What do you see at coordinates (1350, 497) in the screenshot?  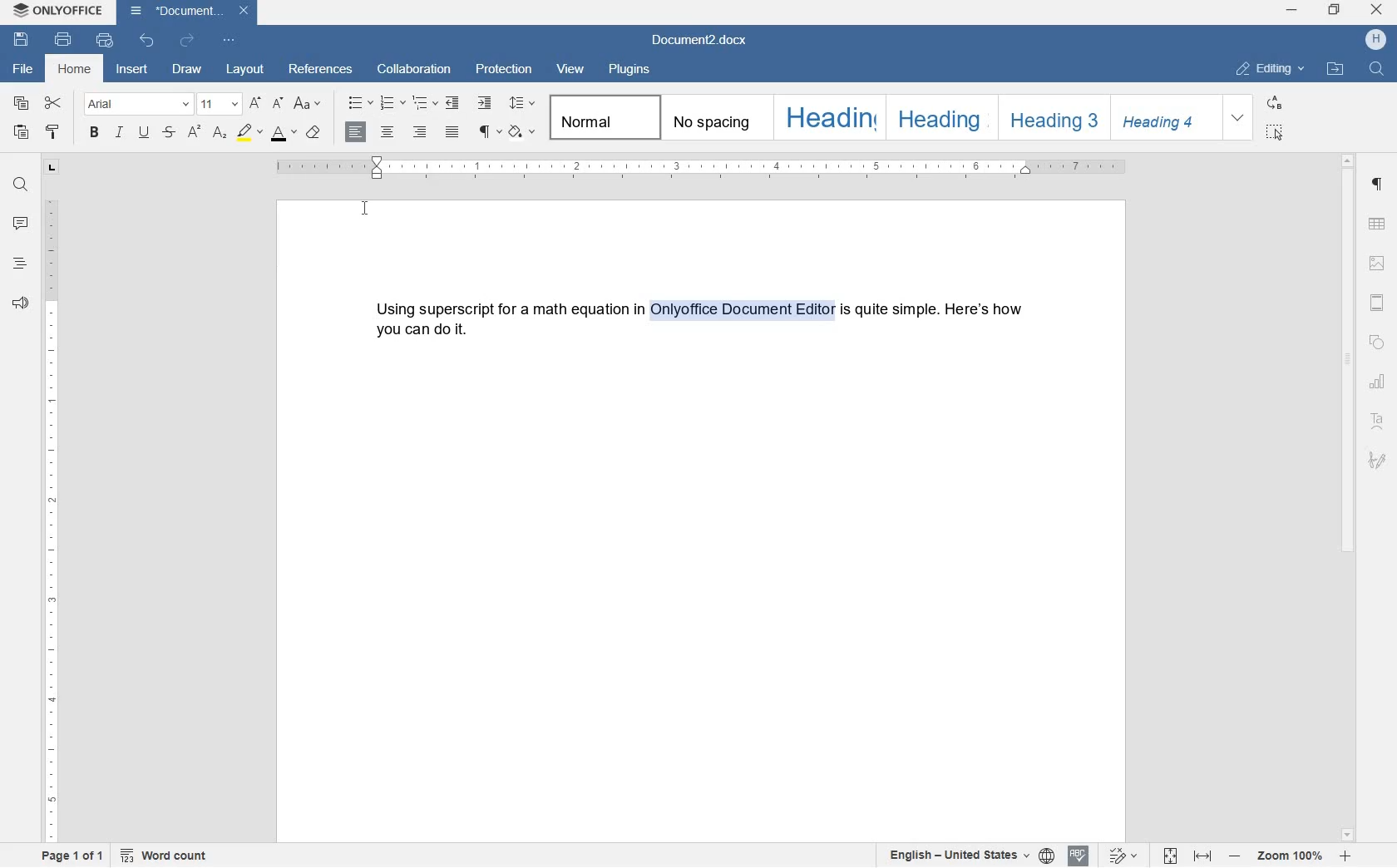 I see `scrollbar` at bounding box center [1350, 497].